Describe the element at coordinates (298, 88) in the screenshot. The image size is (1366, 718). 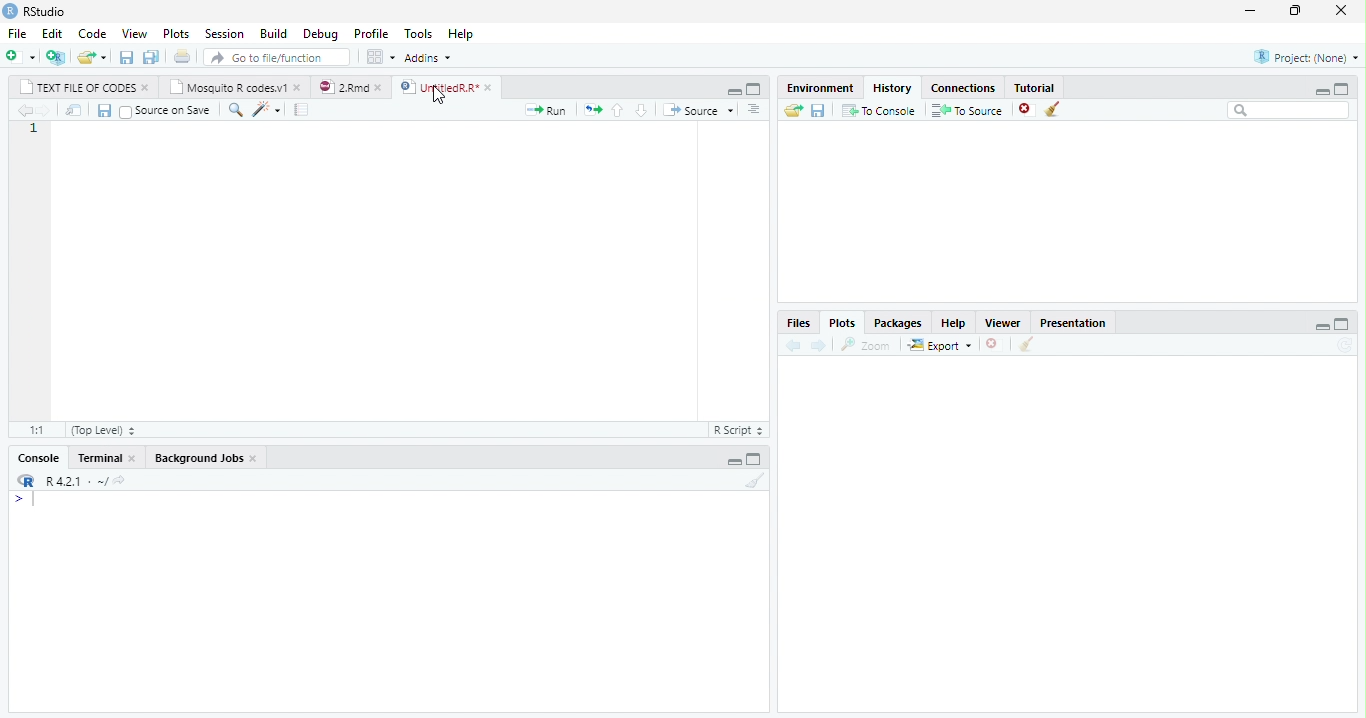
I see `close` at that location.